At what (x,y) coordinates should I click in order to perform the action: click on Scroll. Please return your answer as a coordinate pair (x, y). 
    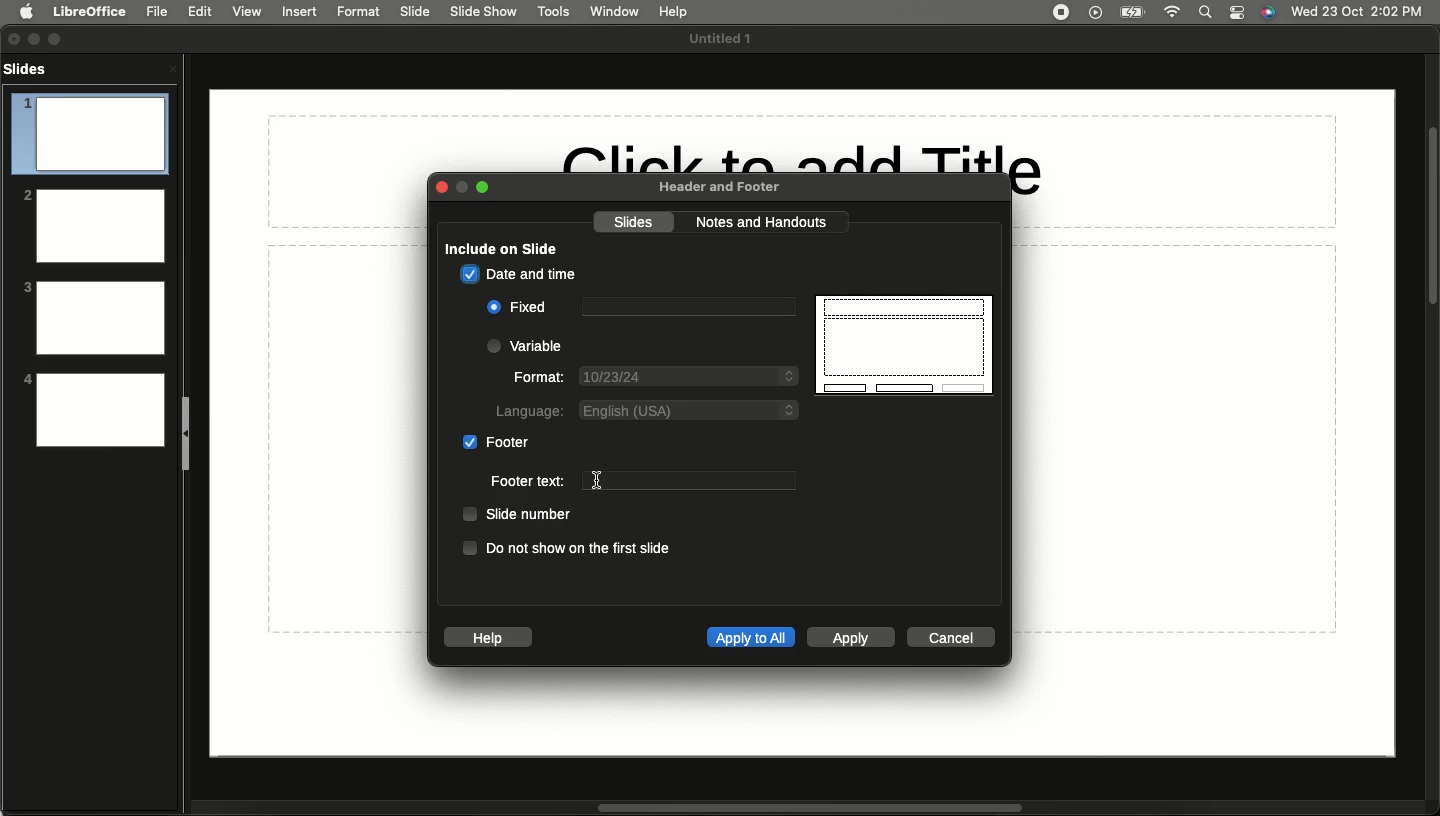
    Looking at the image, I should click on (805, 808).